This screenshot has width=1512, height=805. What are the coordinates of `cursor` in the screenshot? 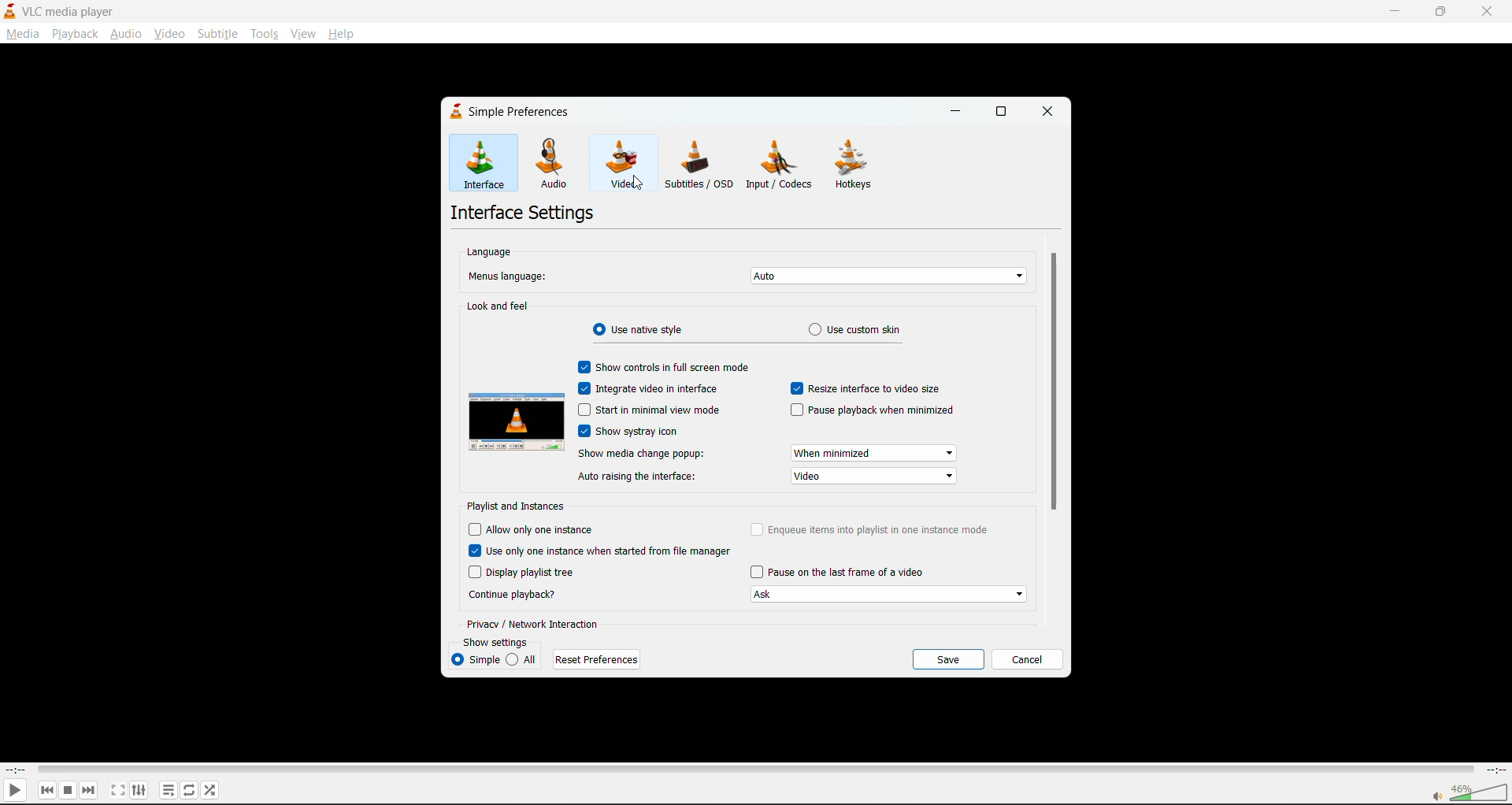 It's located at (638, 187).